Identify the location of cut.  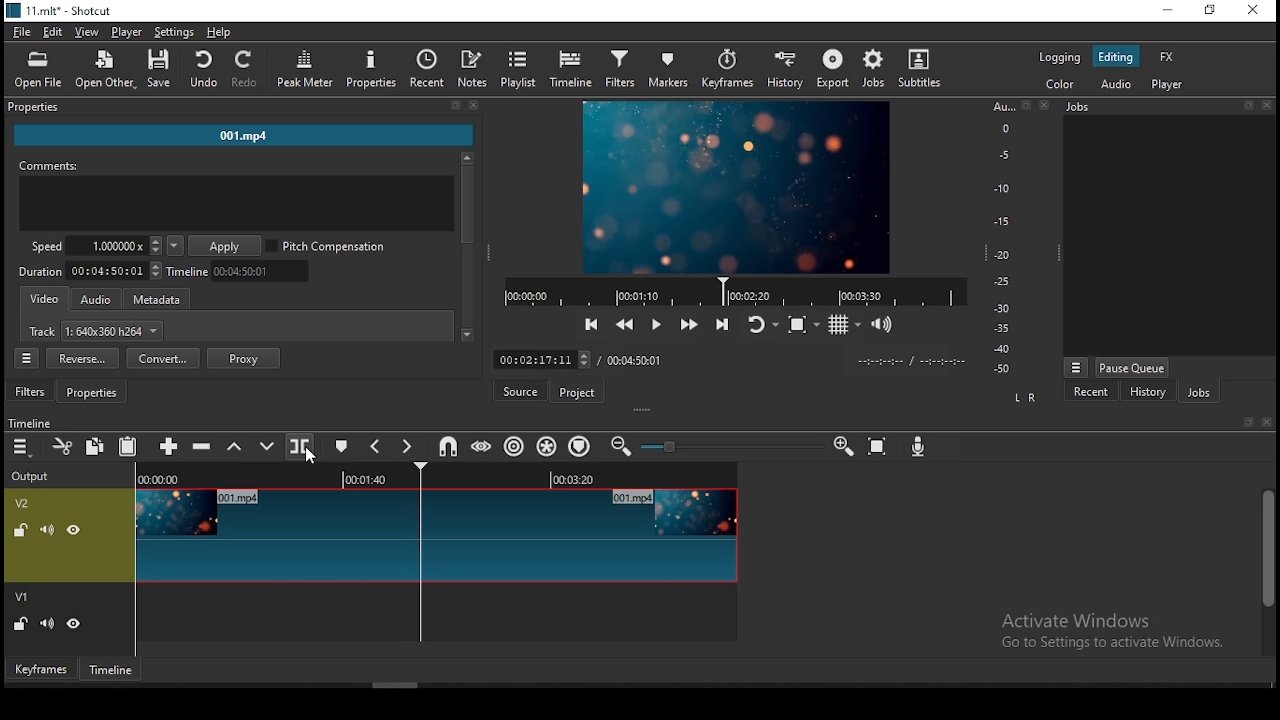
(64, 448).